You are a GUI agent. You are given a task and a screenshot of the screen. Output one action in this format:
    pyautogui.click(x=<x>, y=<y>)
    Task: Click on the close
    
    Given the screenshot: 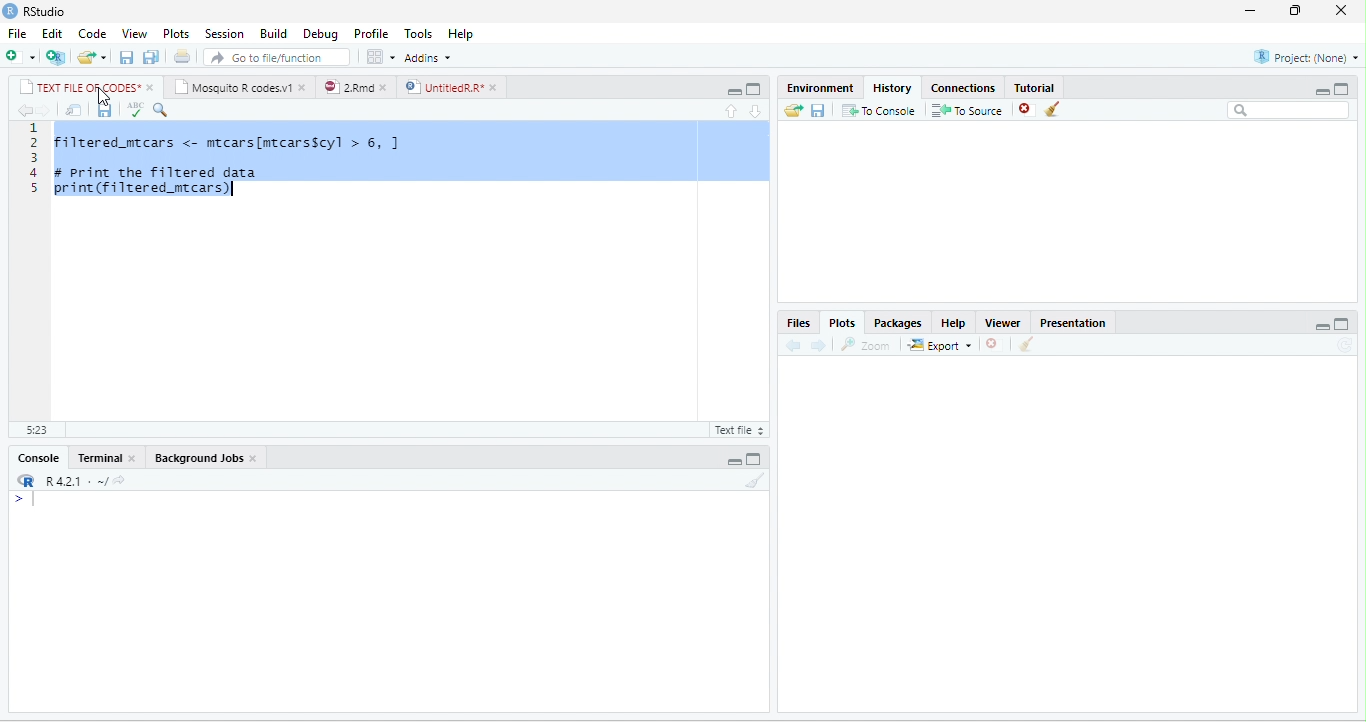 What is the action you would take?
    pyautogui.click(x=496, y=88)
    